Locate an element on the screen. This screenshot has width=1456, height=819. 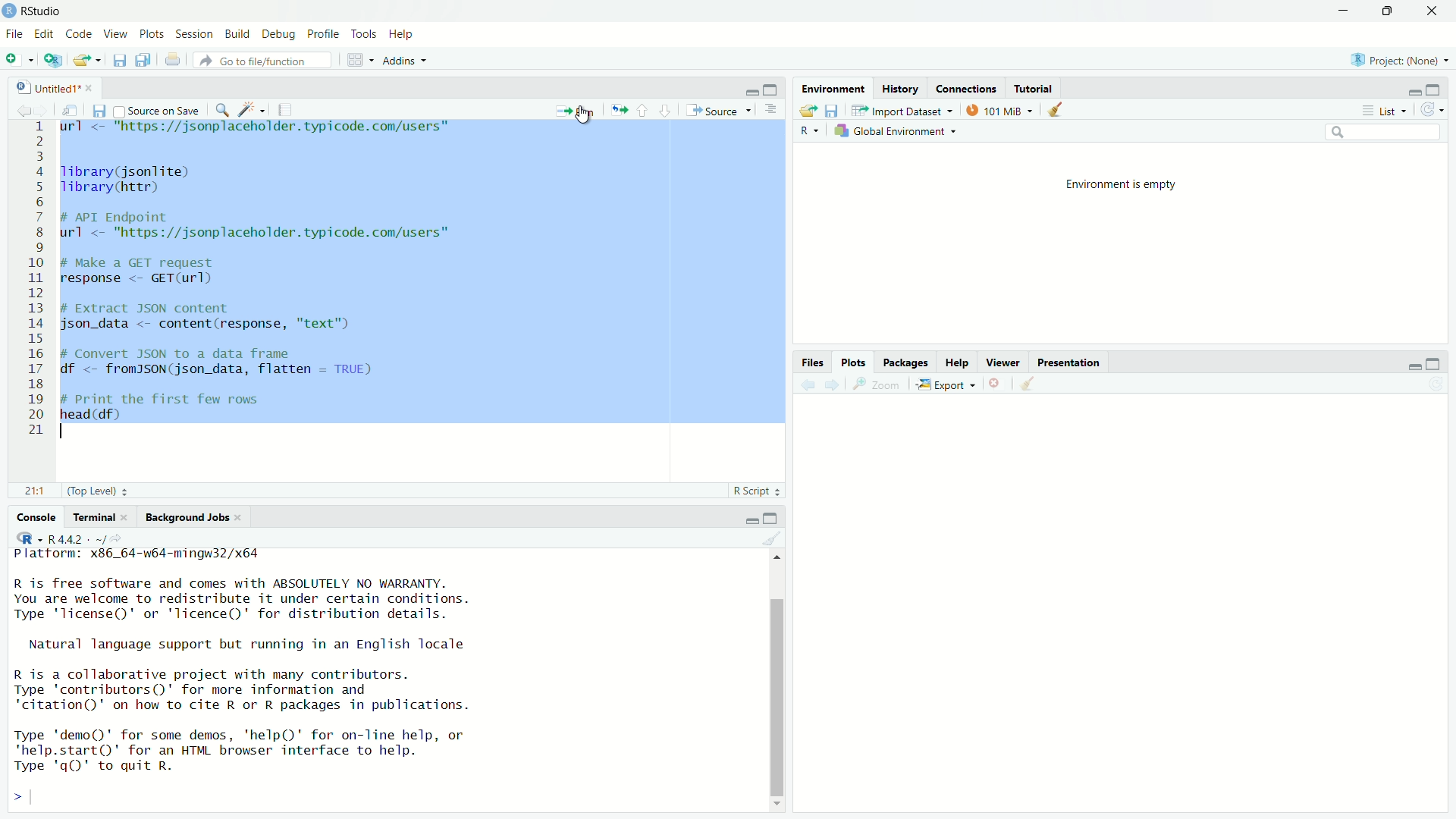
Minimize is located at coordinates (1412, 366).